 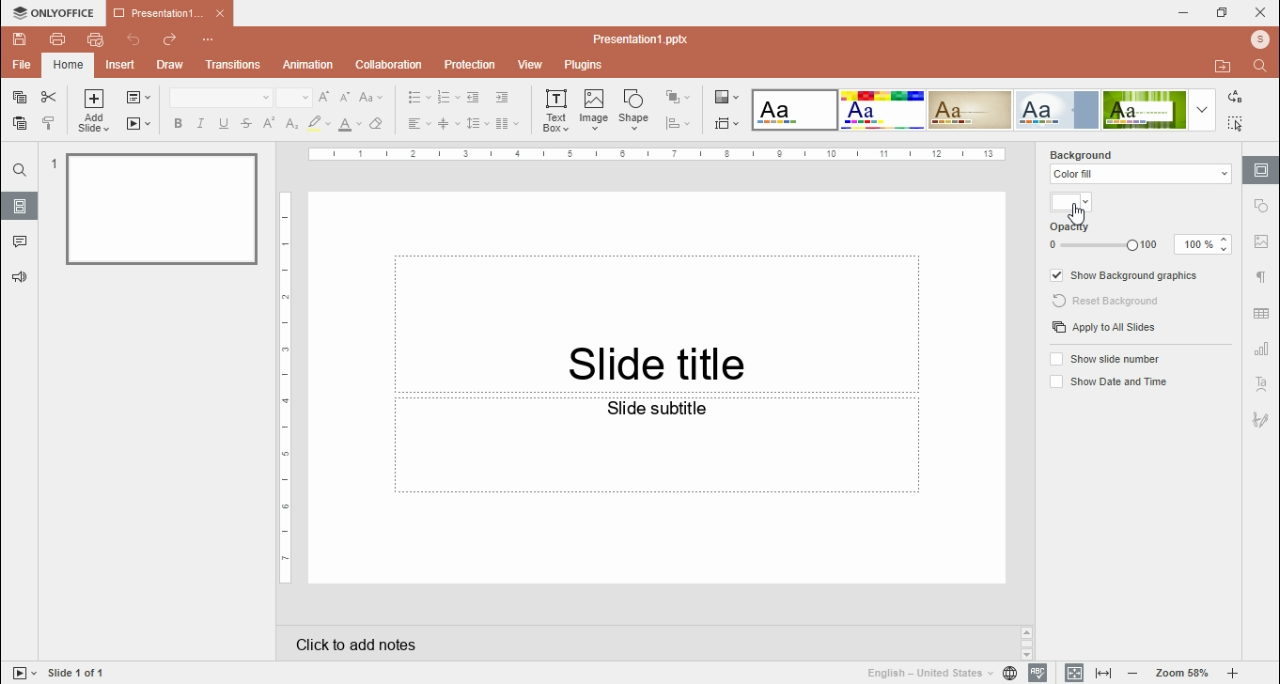 What do you see at coordinates (270, 123) in the screenshot?
I see `superscript` at bounding box center [270, 123].